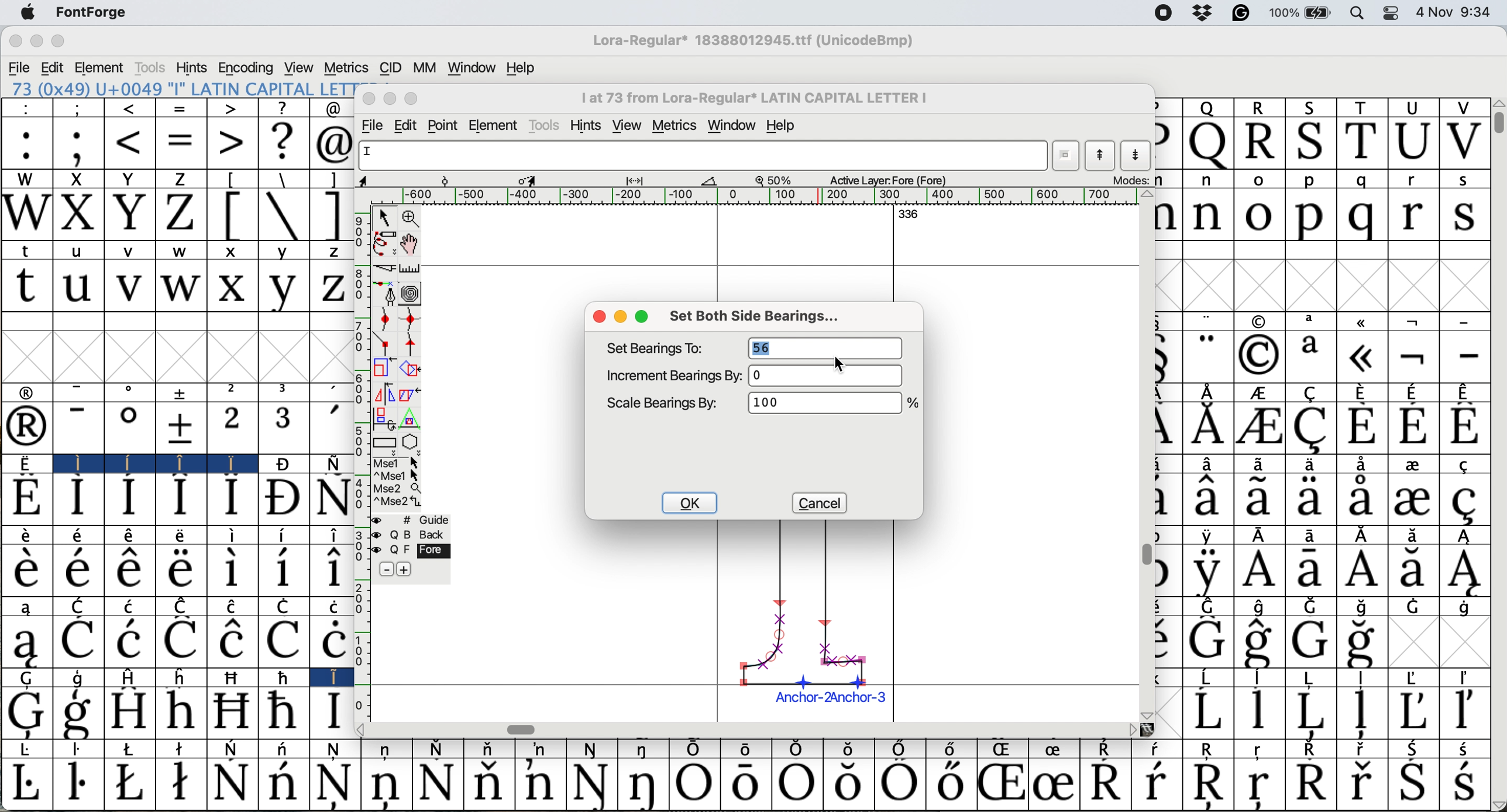 The height and width of the screenshot is (812, 1507). What do you see at coordinates (388, 99) in the screenshot?
I see `minimise` at bounding box center [388, 99].